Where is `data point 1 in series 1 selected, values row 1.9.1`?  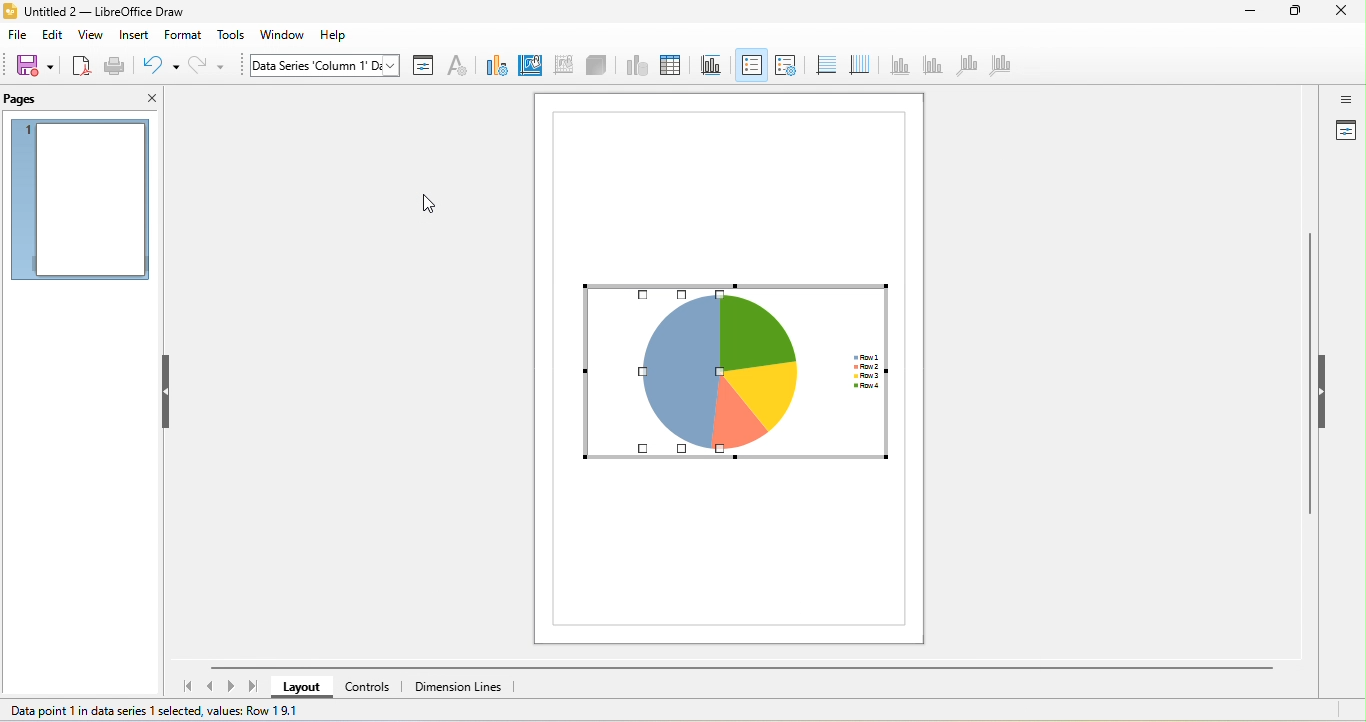
data point 1 in series 1 selected, values row 1.9.1 is located at coordinates (156, 713).